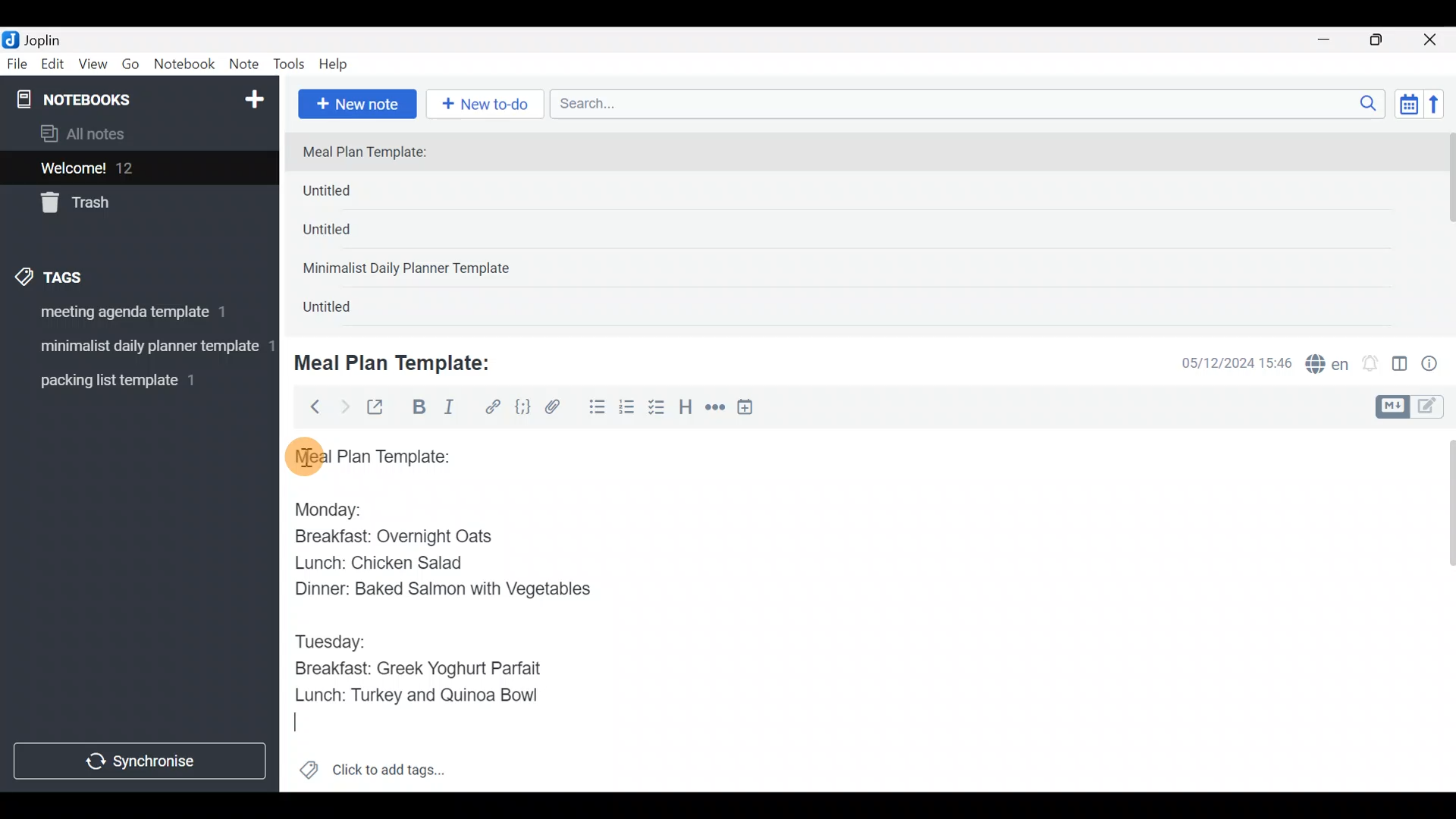 This screenshot has height=819, width=1456. I want to click on Reverse sort, so click(1442, 108).